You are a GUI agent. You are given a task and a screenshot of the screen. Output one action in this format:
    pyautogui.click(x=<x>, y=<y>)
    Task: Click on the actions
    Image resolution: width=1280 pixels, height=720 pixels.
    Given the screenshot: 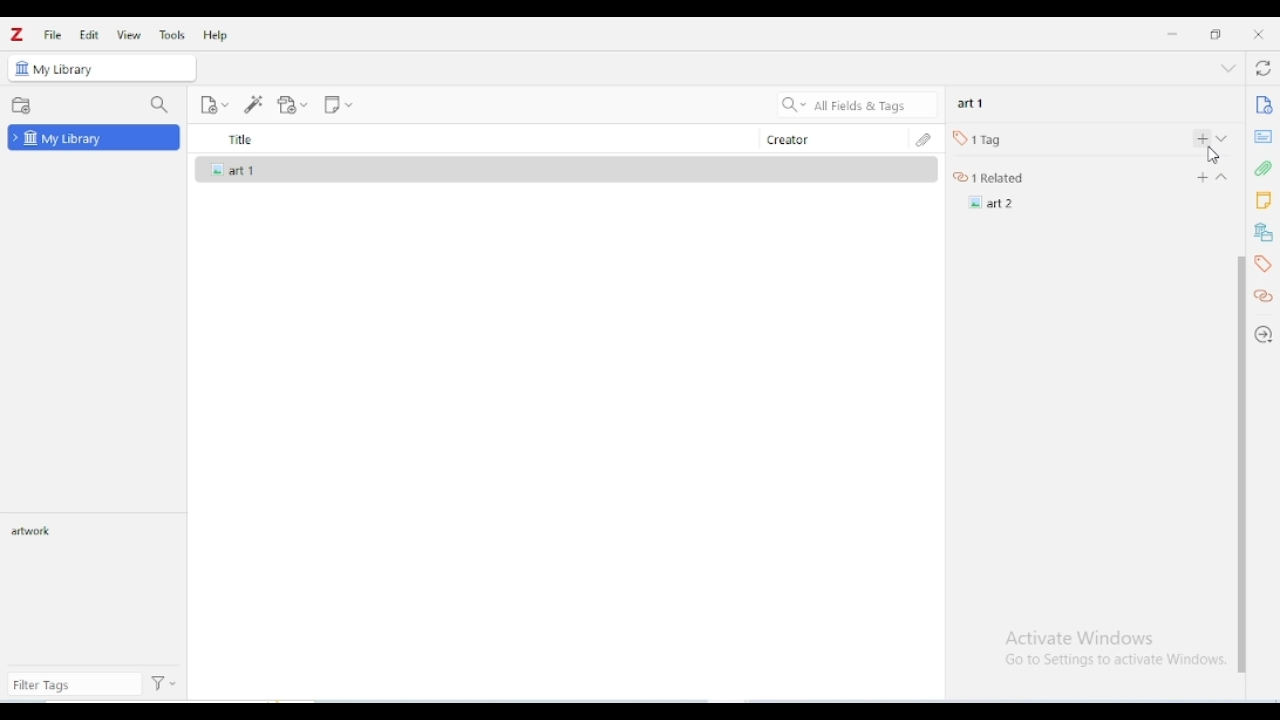 What is the action you would take?
    pyautogui.click(x=165, y=685)
    